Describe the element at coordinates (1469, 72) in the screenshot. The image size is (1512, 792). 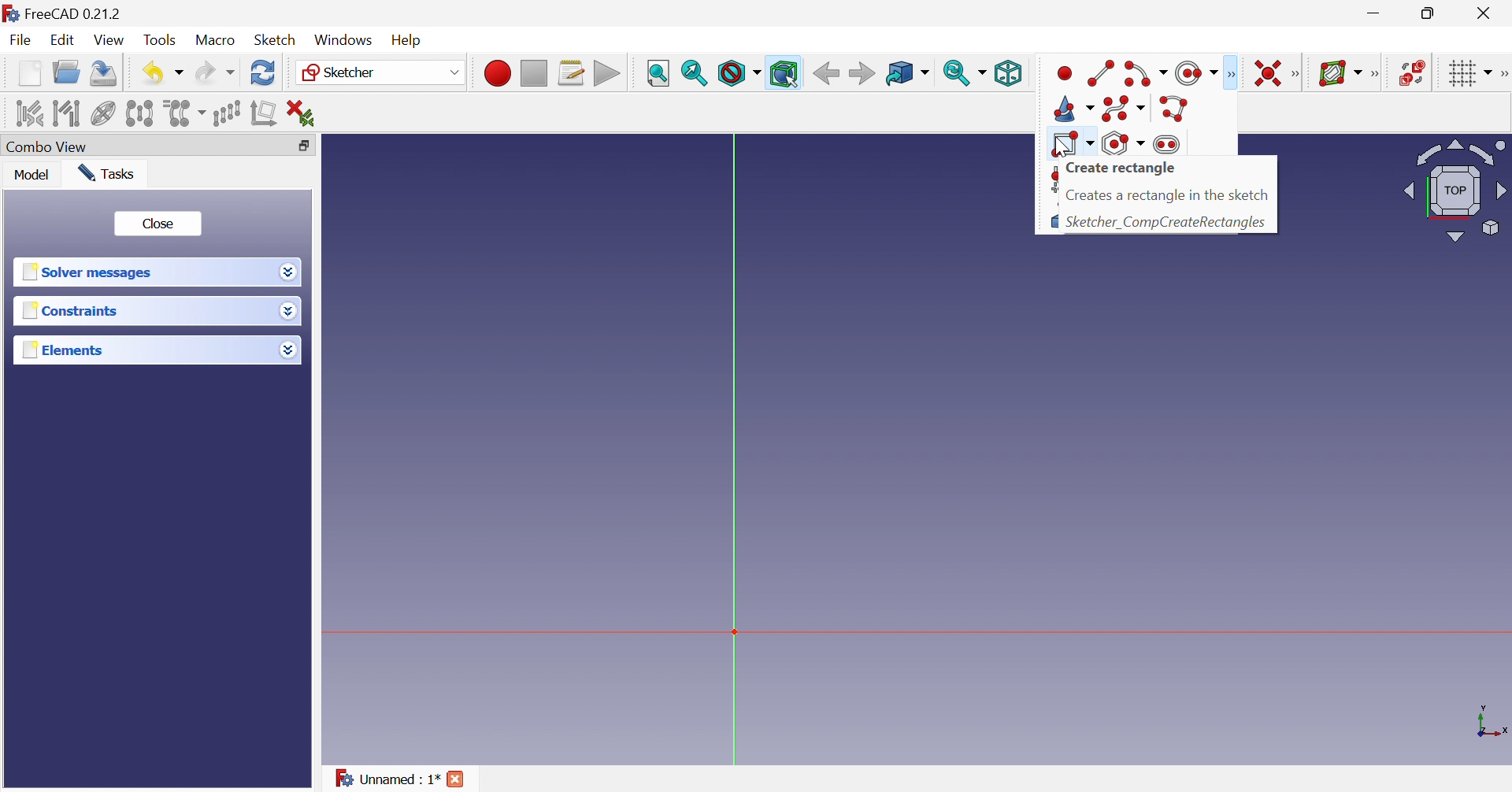
I see `Toggle grid` at that location.